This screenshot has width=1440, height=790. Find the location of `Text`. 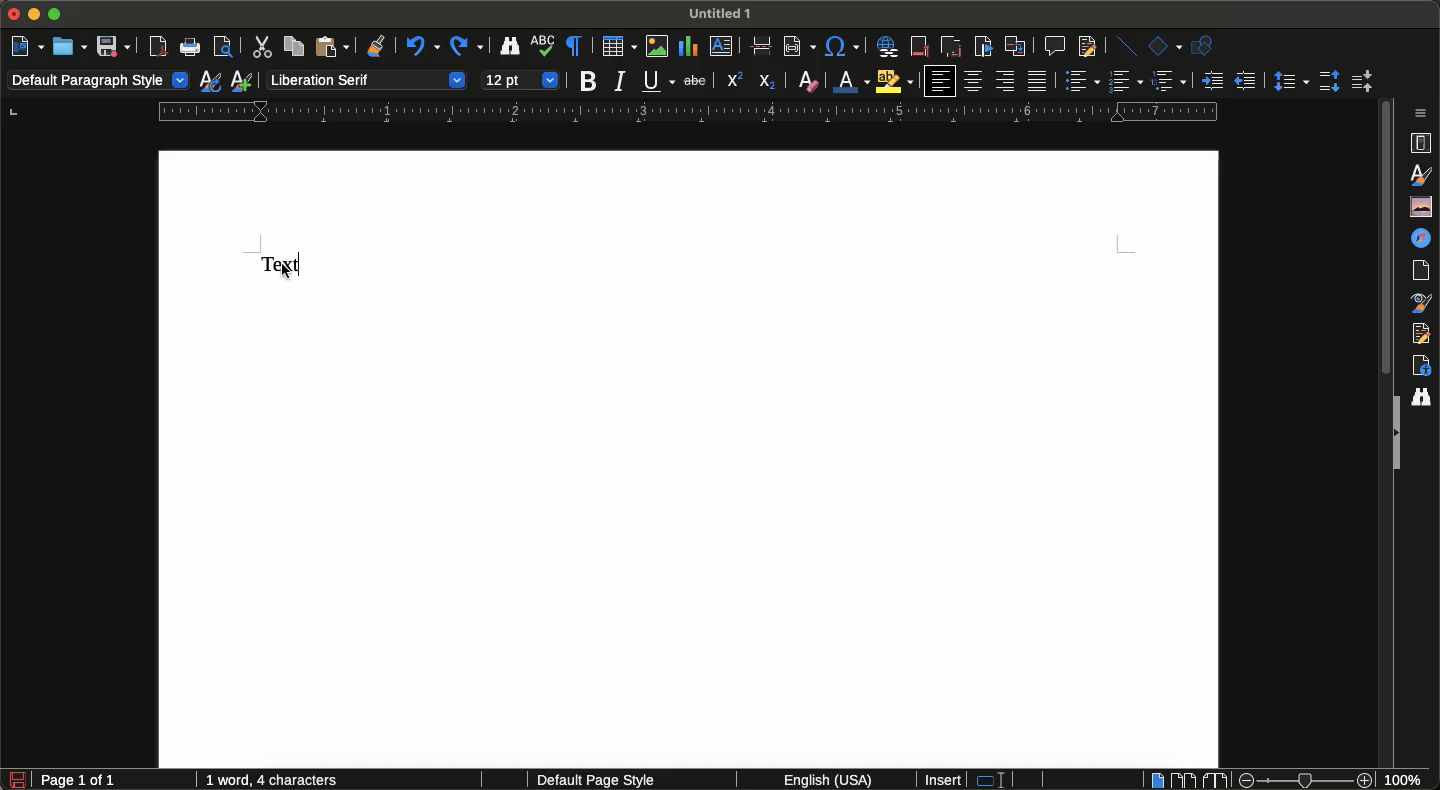

Text is located at coordinates (285, 265).